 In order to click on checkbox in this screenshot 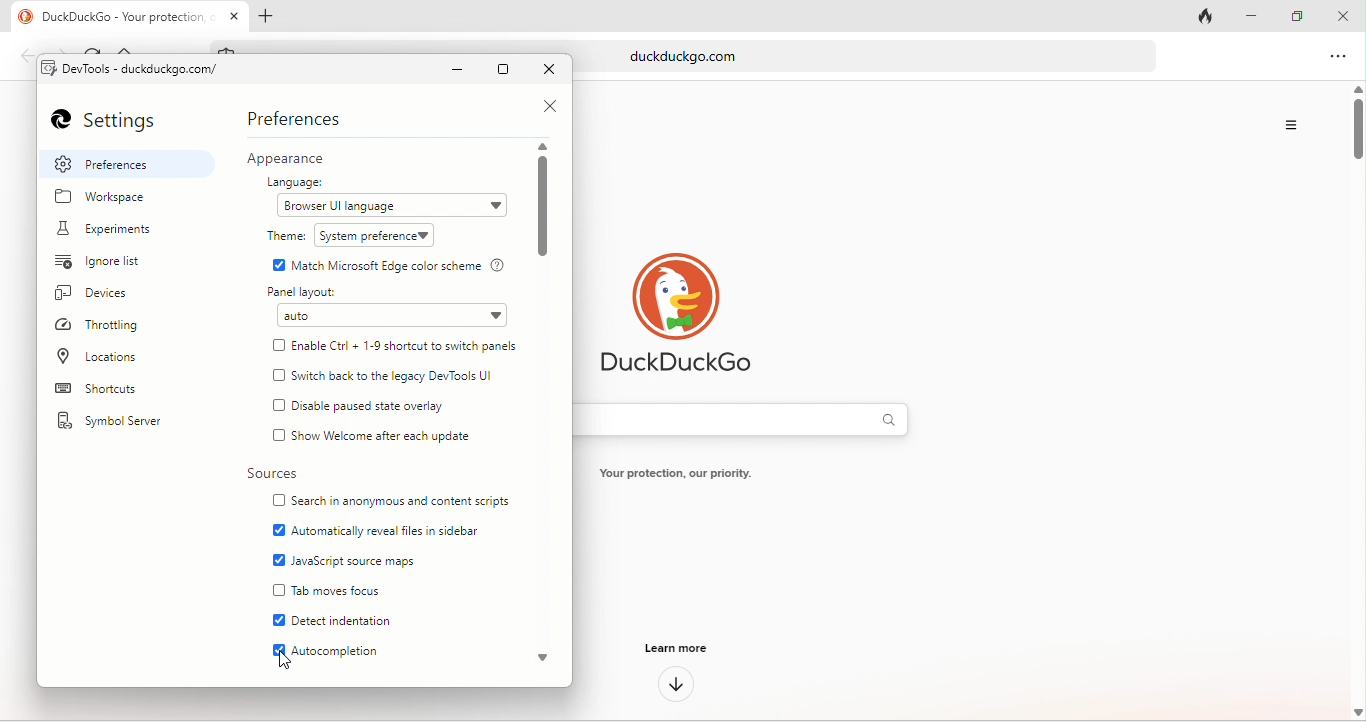, I will do `click(278, 346)`.